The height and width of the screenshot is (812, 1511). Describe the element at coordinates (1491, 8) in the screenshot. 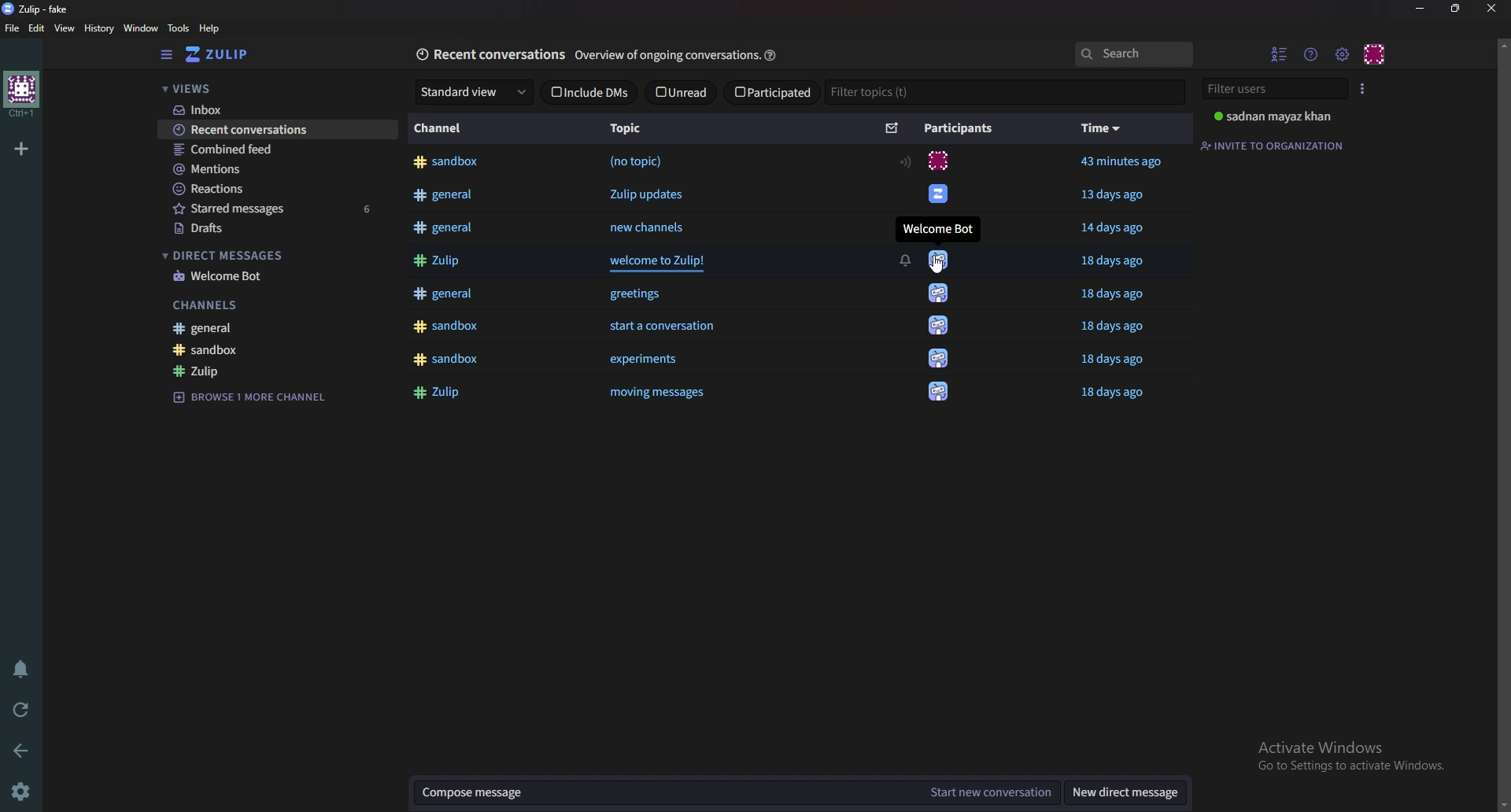

I see `close` at that location.